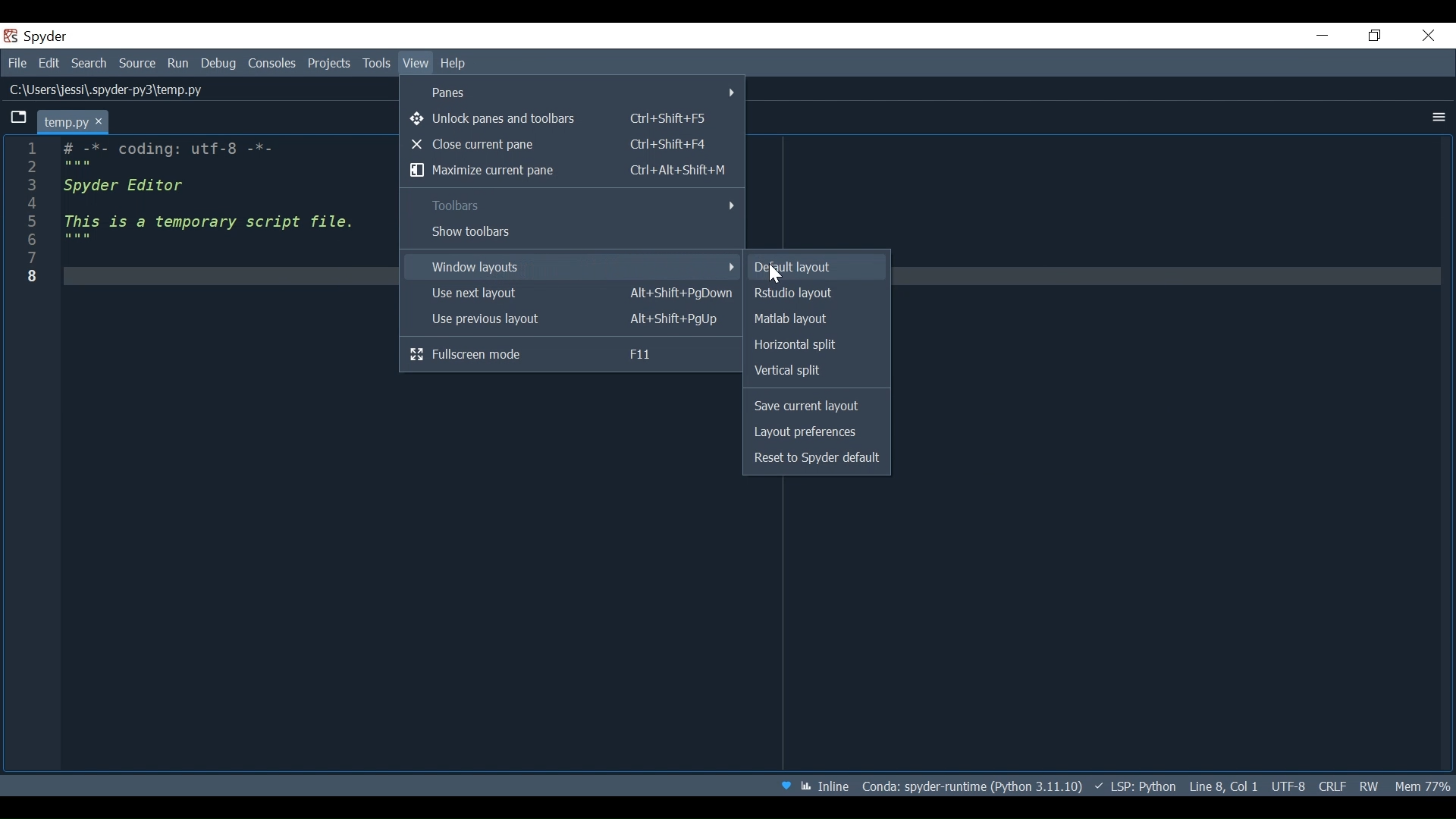  What do you see at coordinates (17, 64) in the screenshot?
I see `File` at bounding box center [17, 64].